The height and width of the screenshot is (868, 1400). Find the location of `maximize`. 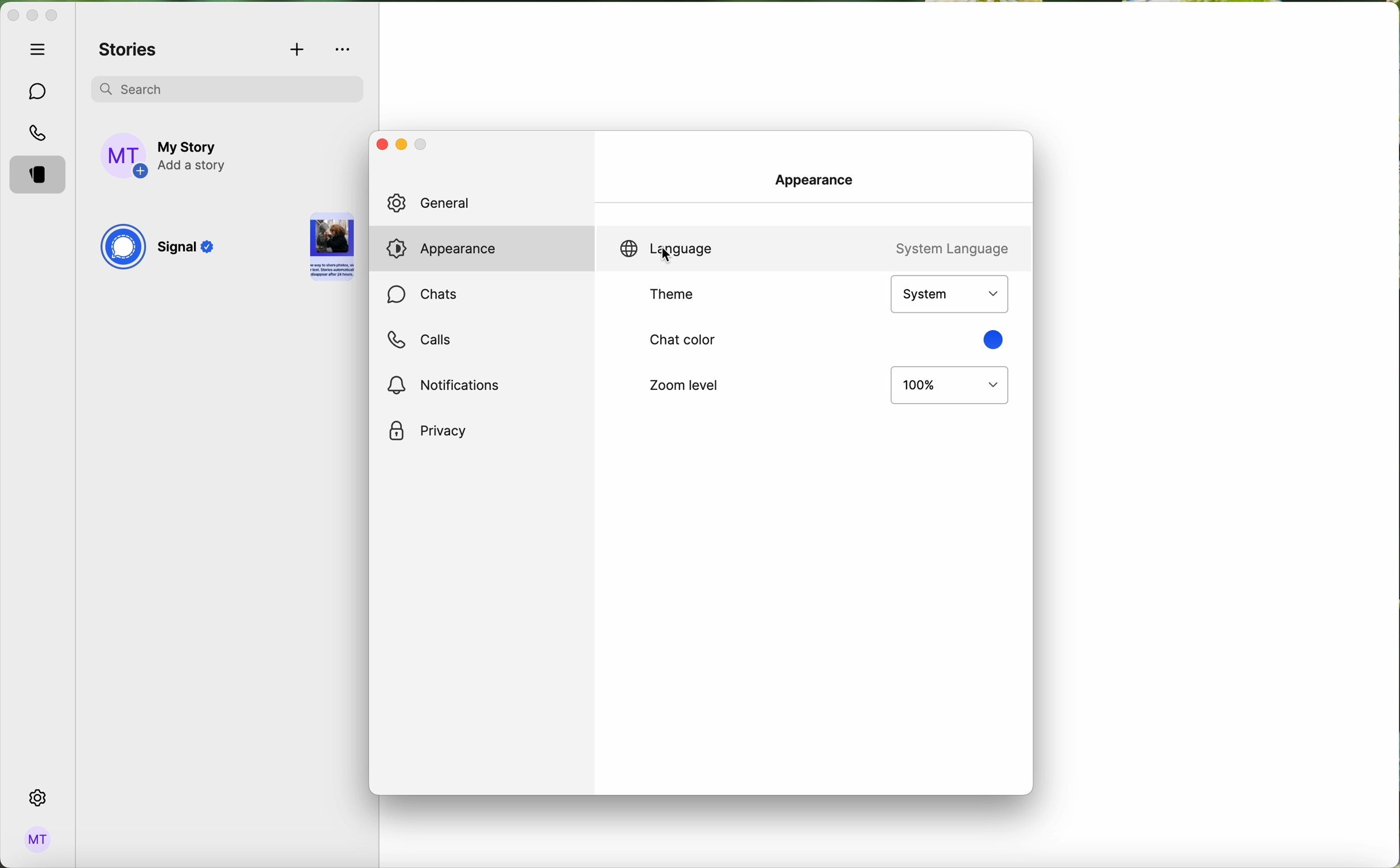

maximize is located at coordinates (52, 15).